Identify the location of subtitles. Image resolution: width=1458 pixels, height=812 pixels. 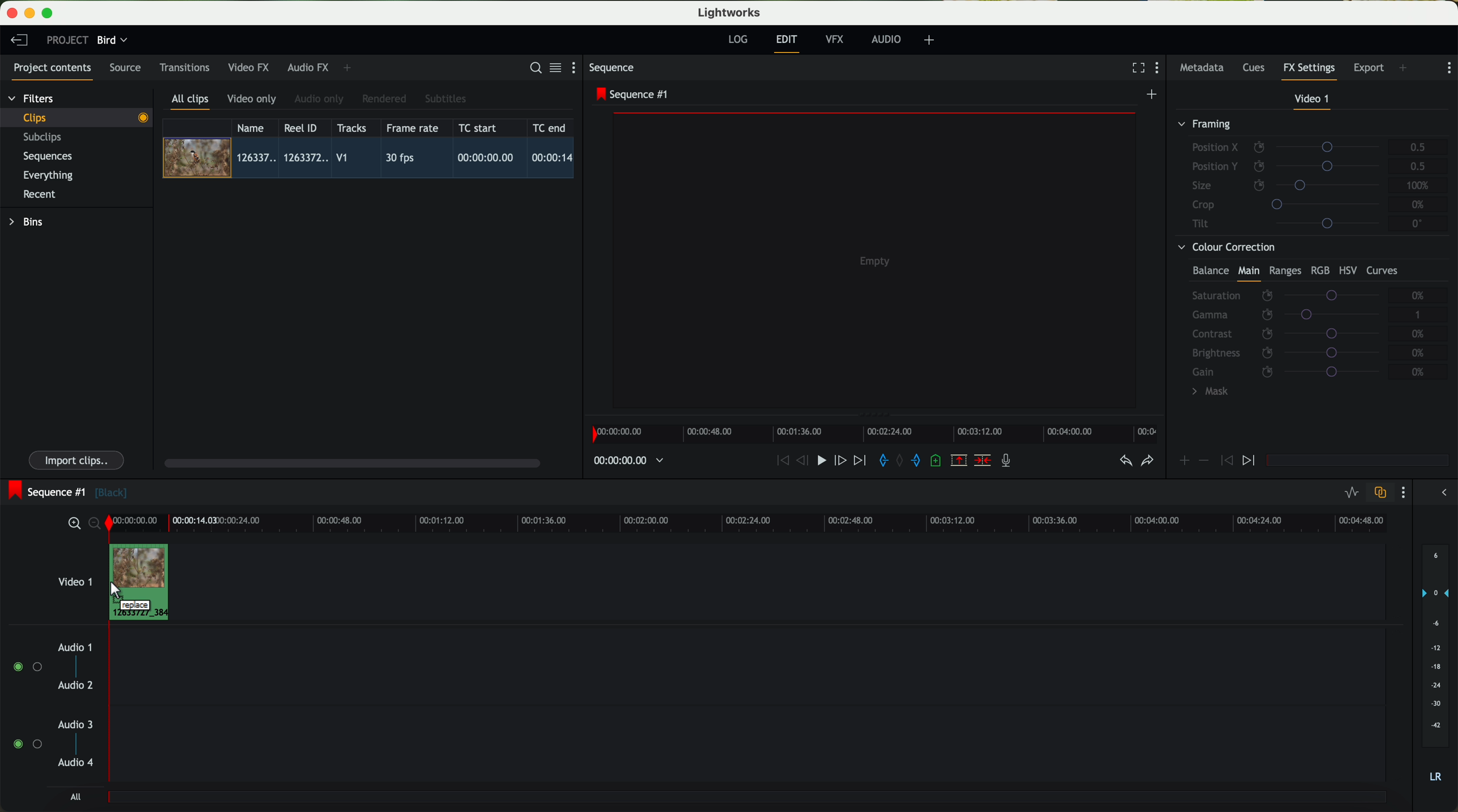
(444, 99).